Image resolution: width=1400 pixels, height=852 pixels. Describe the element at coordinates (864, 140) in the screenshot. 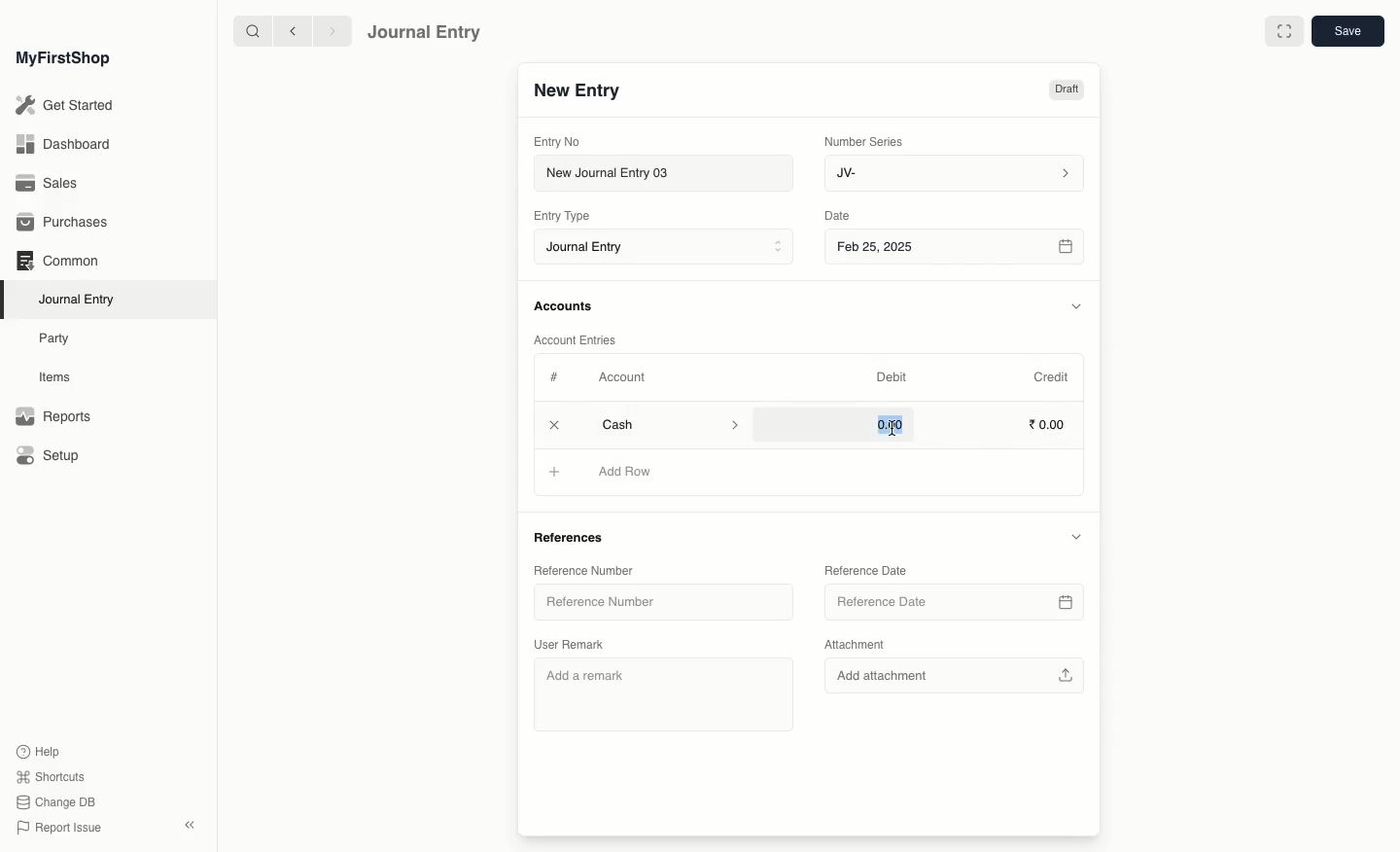

I see `‘Number Series` at that location.